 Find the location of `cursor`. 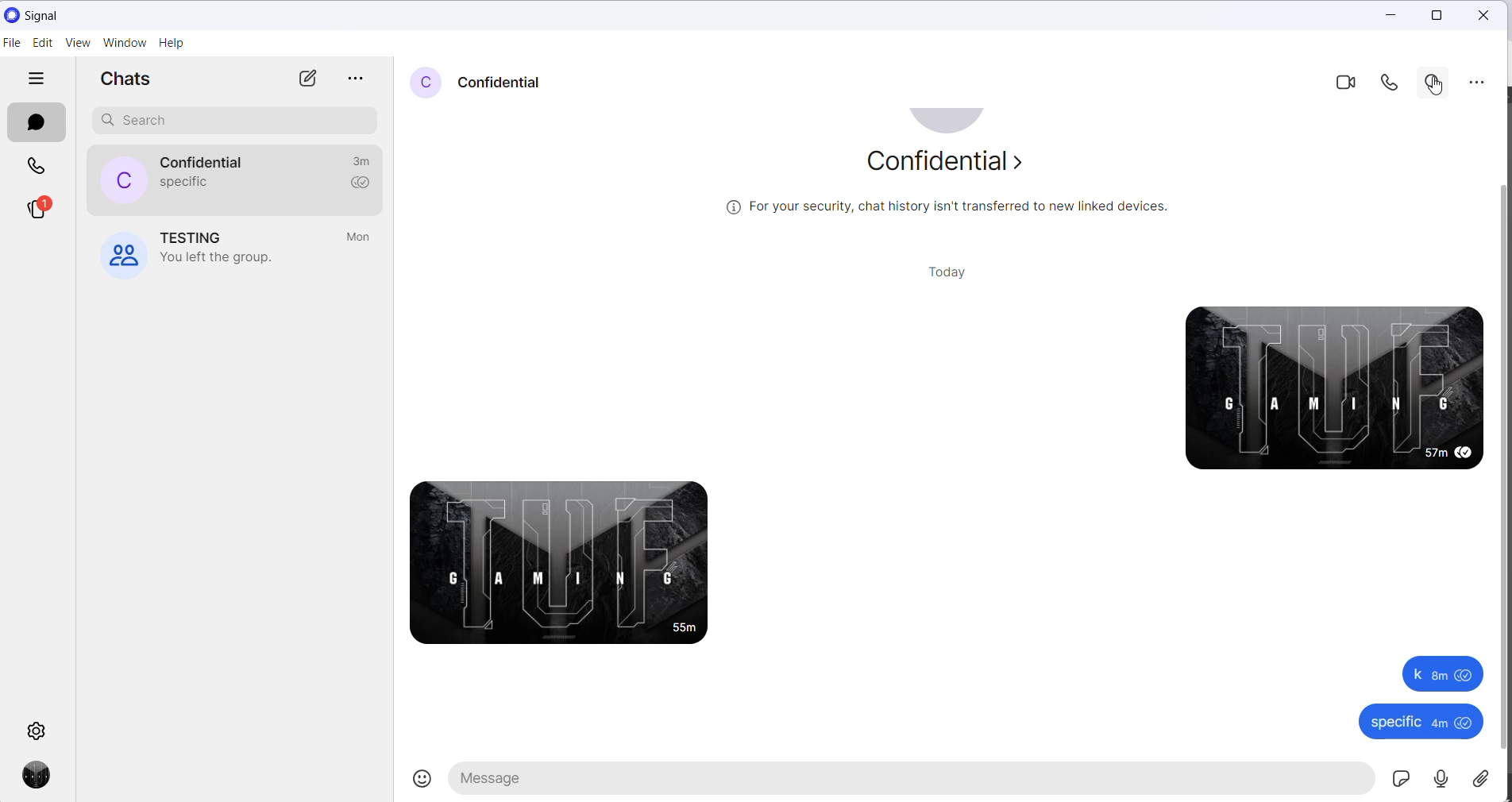

cursor is located at coordinates (1439, 91).